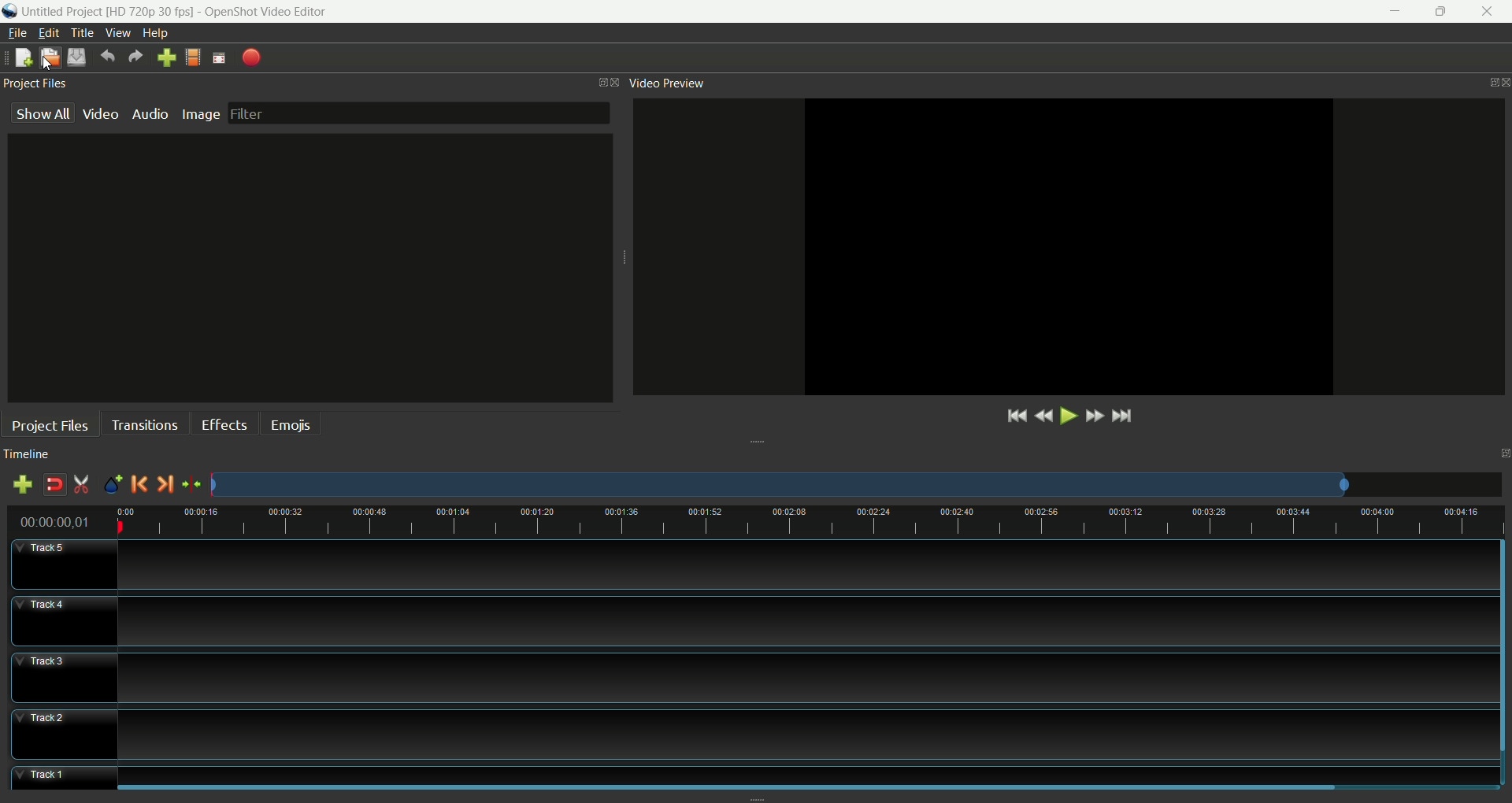 The image size is (1512, 803). What do you see at coordinates (50, 33) in the screenshot?
I see `edit` at bounding box center [50, 33].